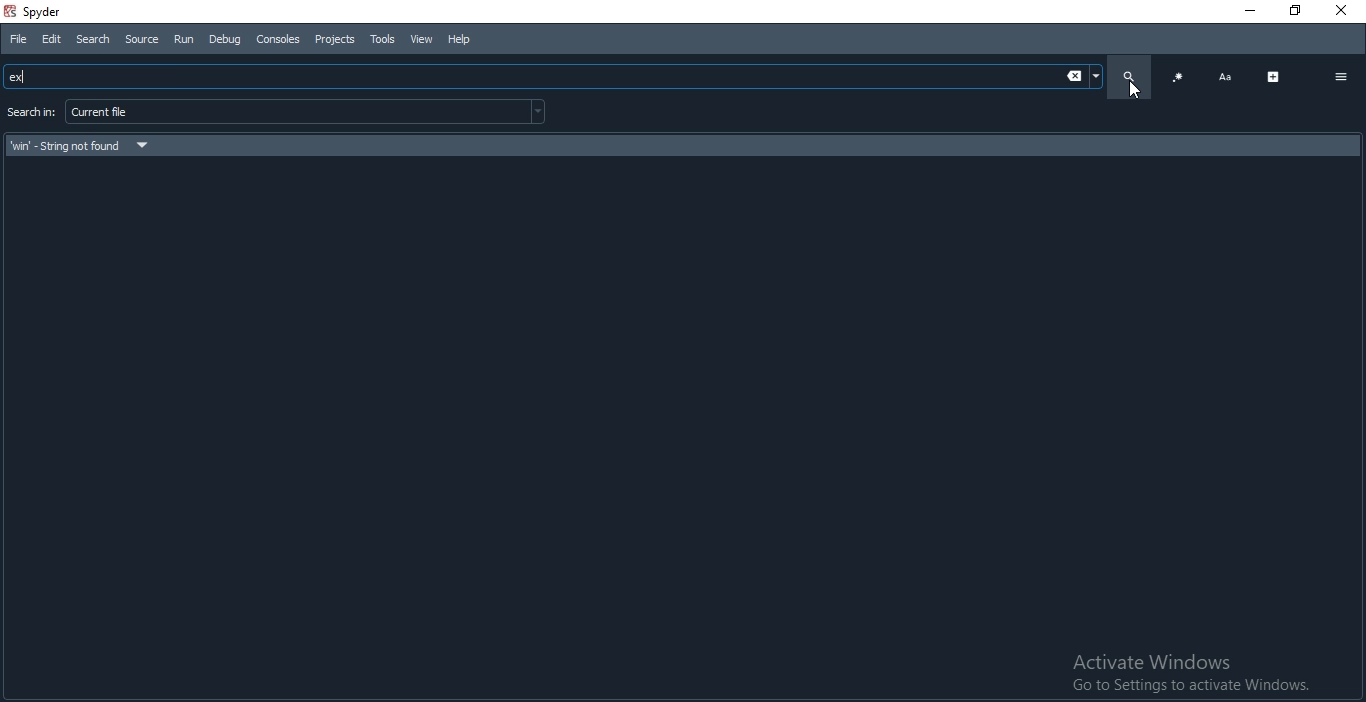  What do you see at coordinates (222, 39) in the screenshot?
I see `Debug` at bounding box center [222, 39].